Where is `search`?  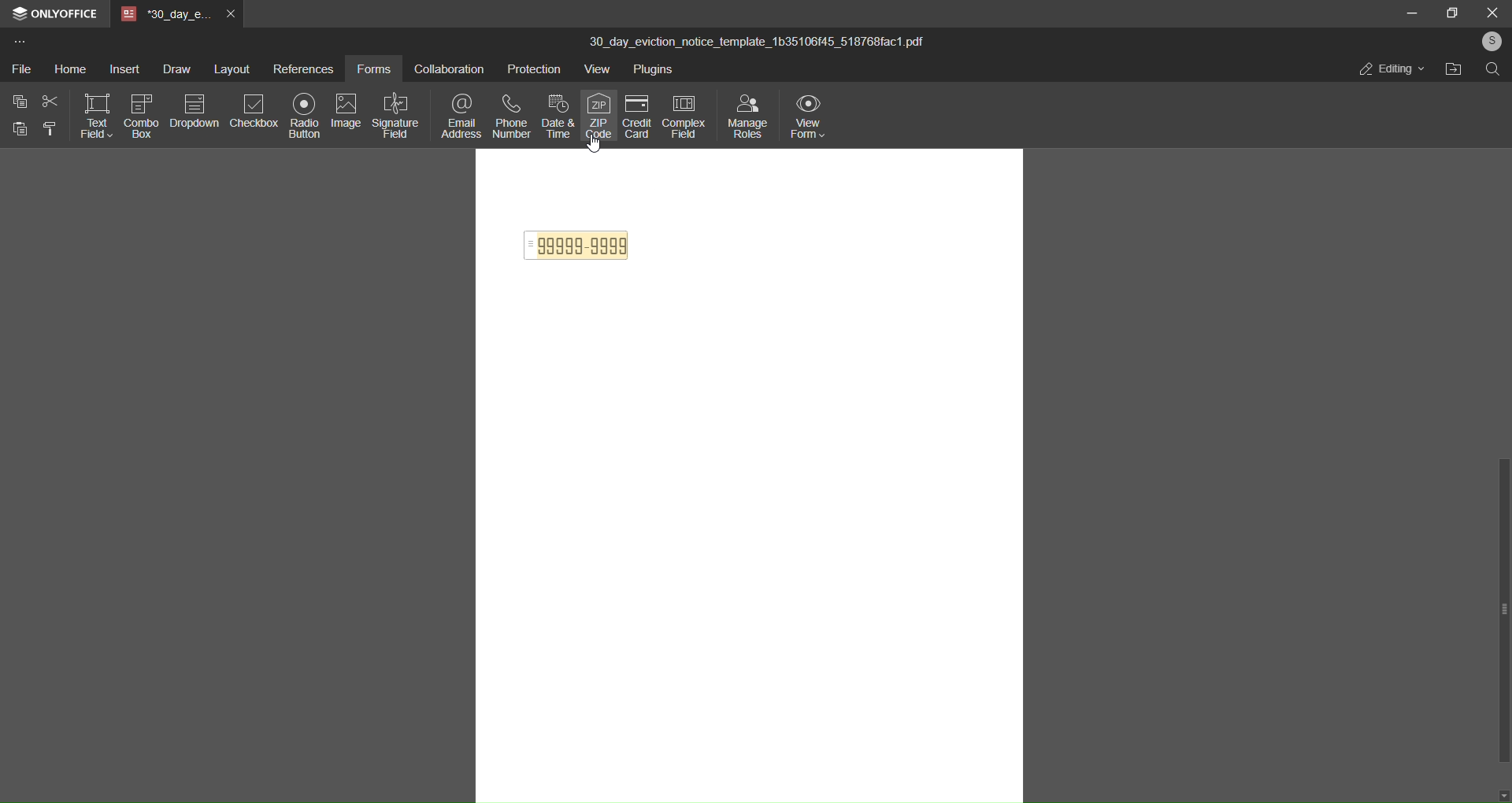 search is located at coordinates (1492, 70).